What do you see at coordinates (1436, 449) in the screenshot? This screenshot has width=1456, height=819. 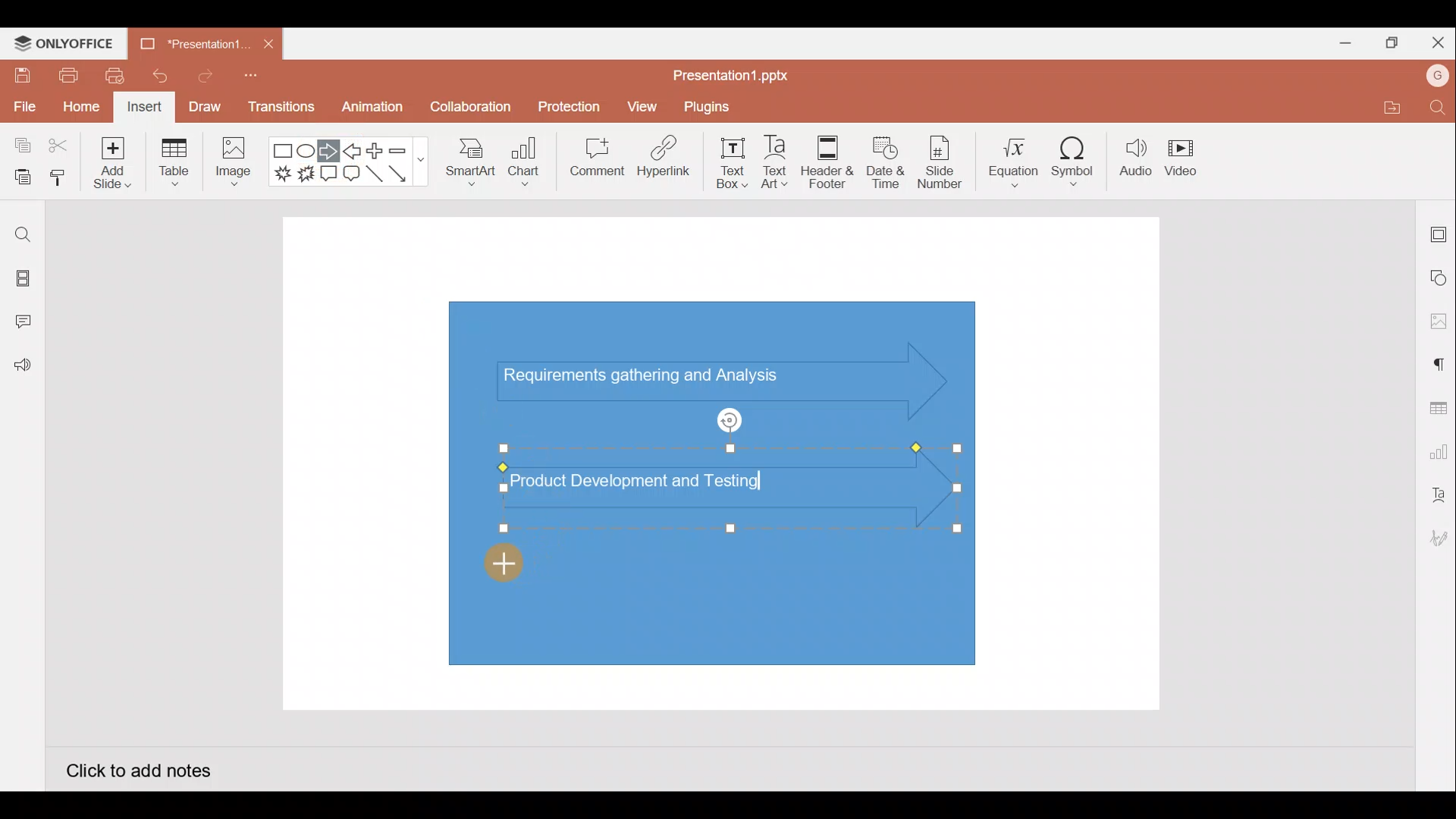 I see `Chart settings` at bounding box center [1436, 449].